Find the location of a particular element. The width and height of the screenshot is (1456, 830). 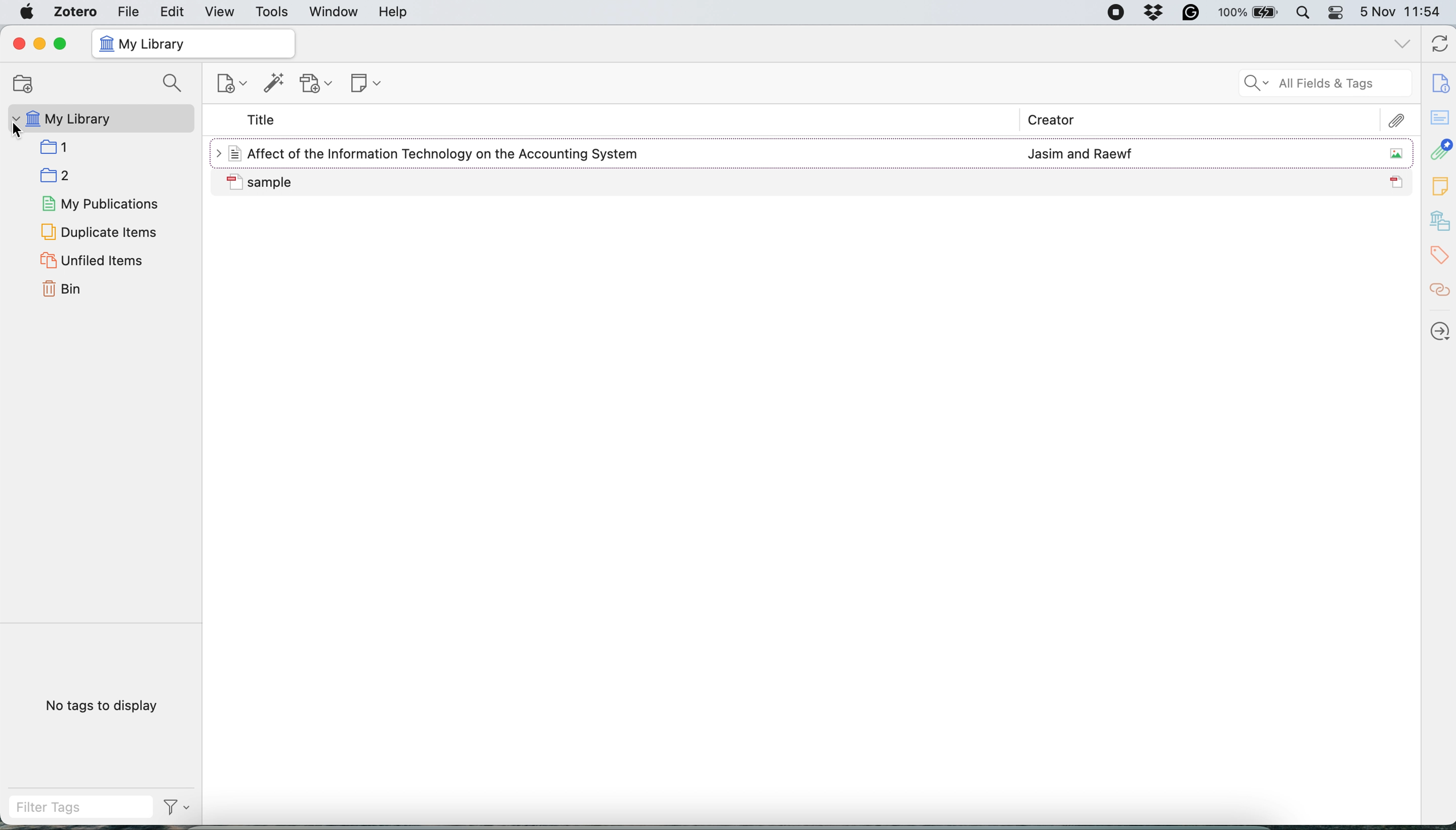

my library is located at coordinates (61, 122).